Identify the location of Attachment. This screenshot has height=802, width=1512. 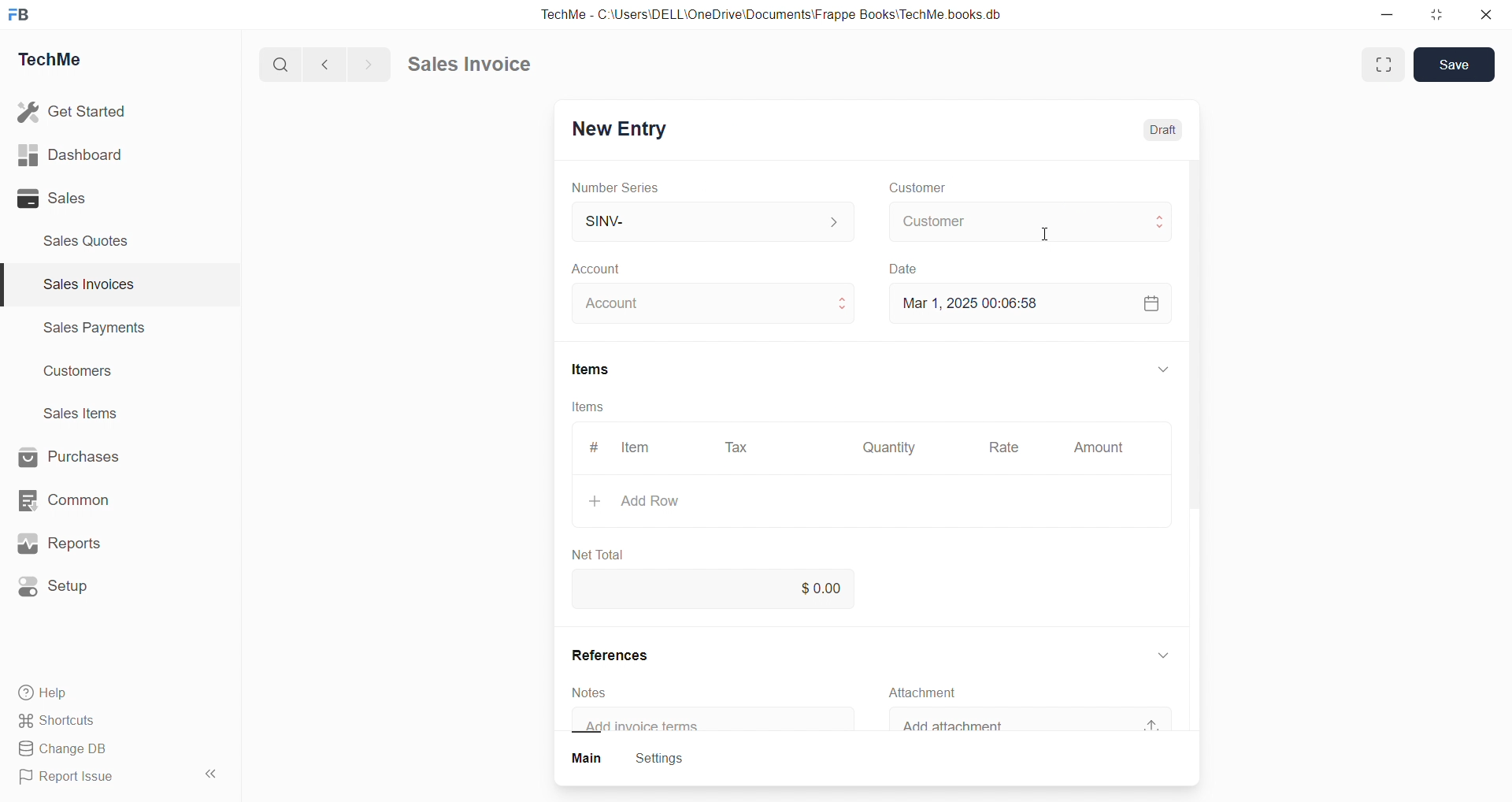
(935, 692).